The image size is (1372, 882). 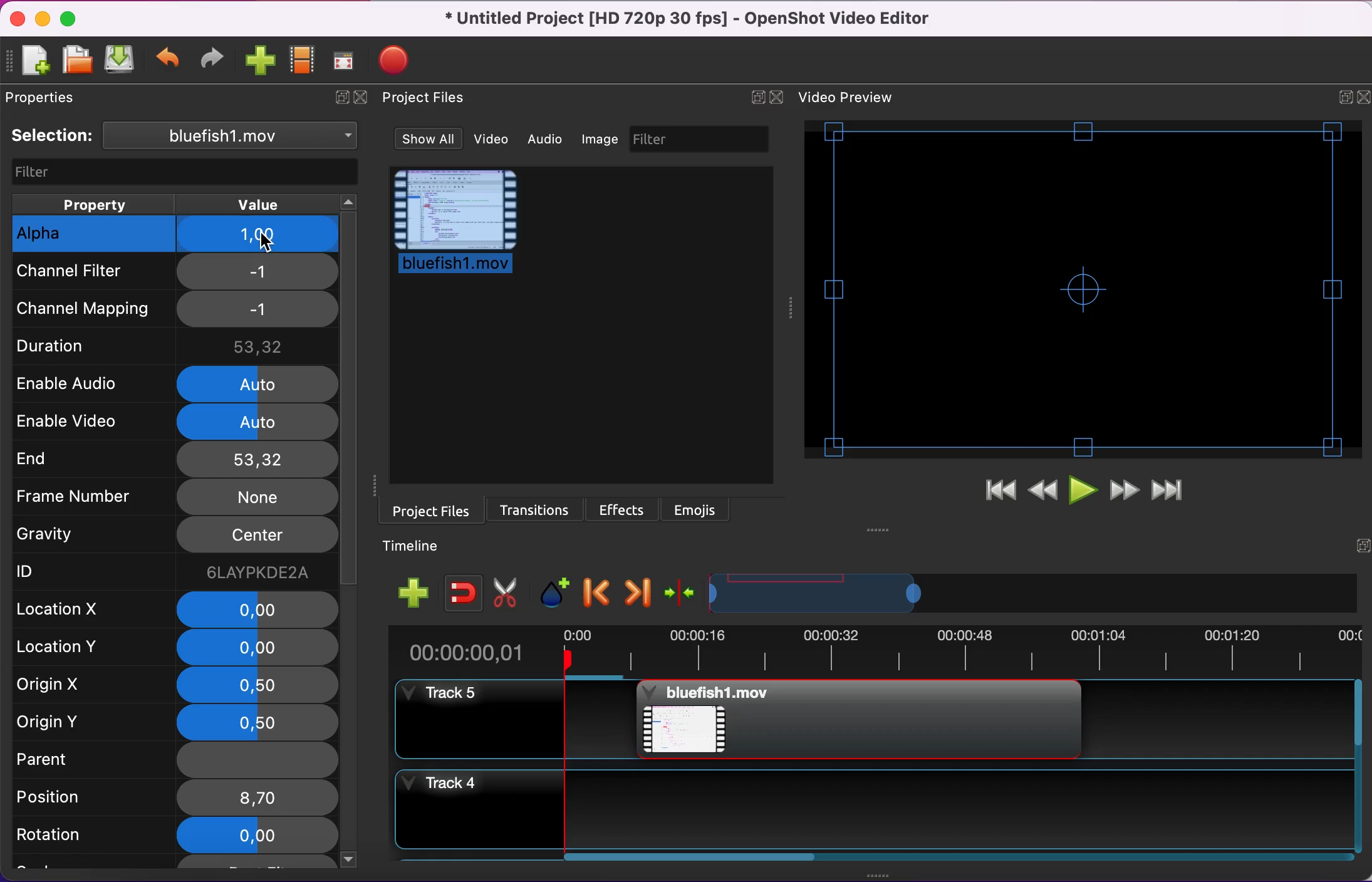 What do you see at coordinates (995, 487) in the screenshot?
I see `jump to start` at bounding box center [995, 487].